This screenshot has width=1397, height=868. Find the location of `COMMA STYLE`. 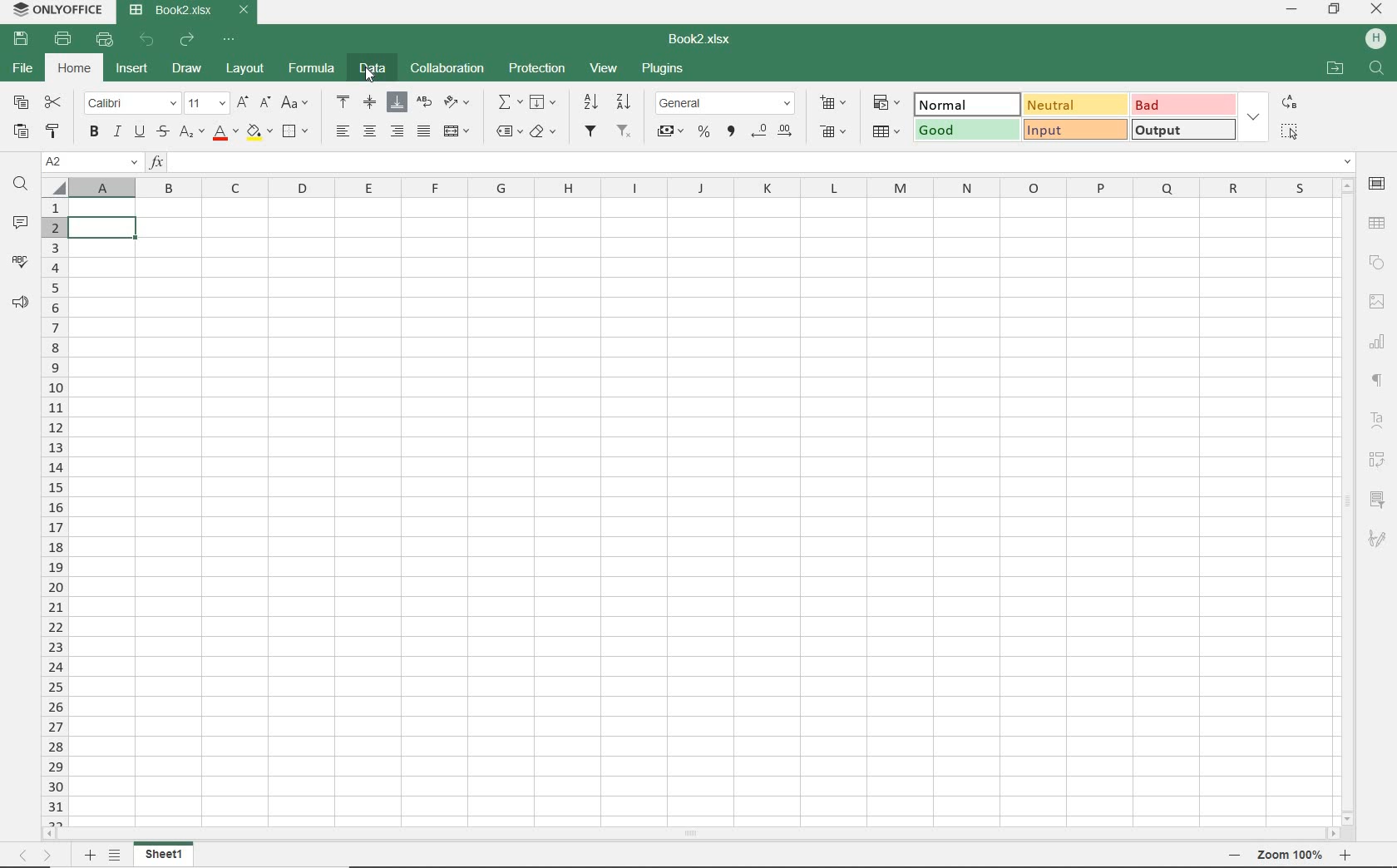

COMMA STYLE is located at coordinates (731, 133).